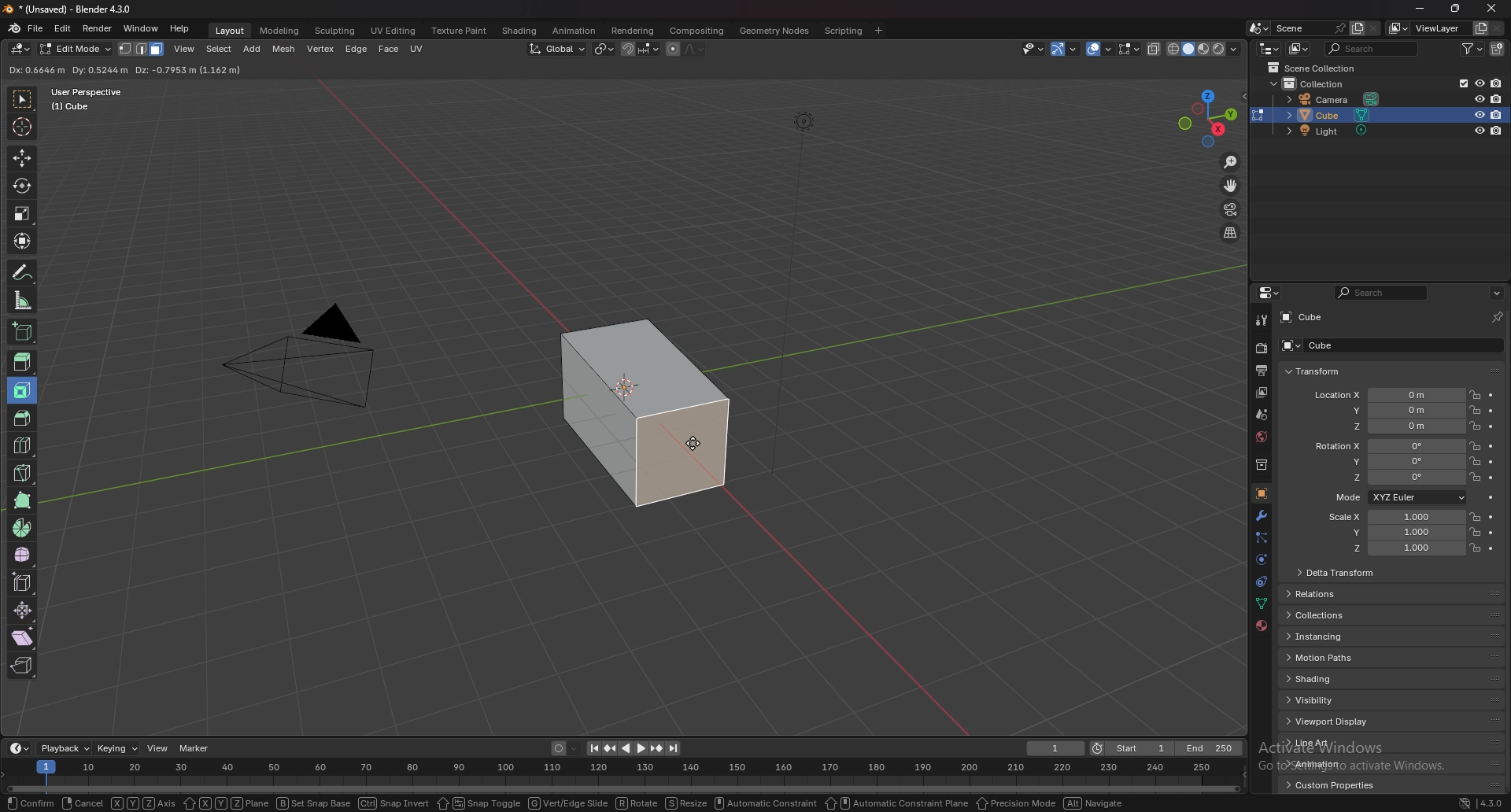 Image resolution: width=1511 pixels, height=812 pixels. Describe the element at coordinates (1498, 98) in the screenshot. I see `disable in render` at that location.